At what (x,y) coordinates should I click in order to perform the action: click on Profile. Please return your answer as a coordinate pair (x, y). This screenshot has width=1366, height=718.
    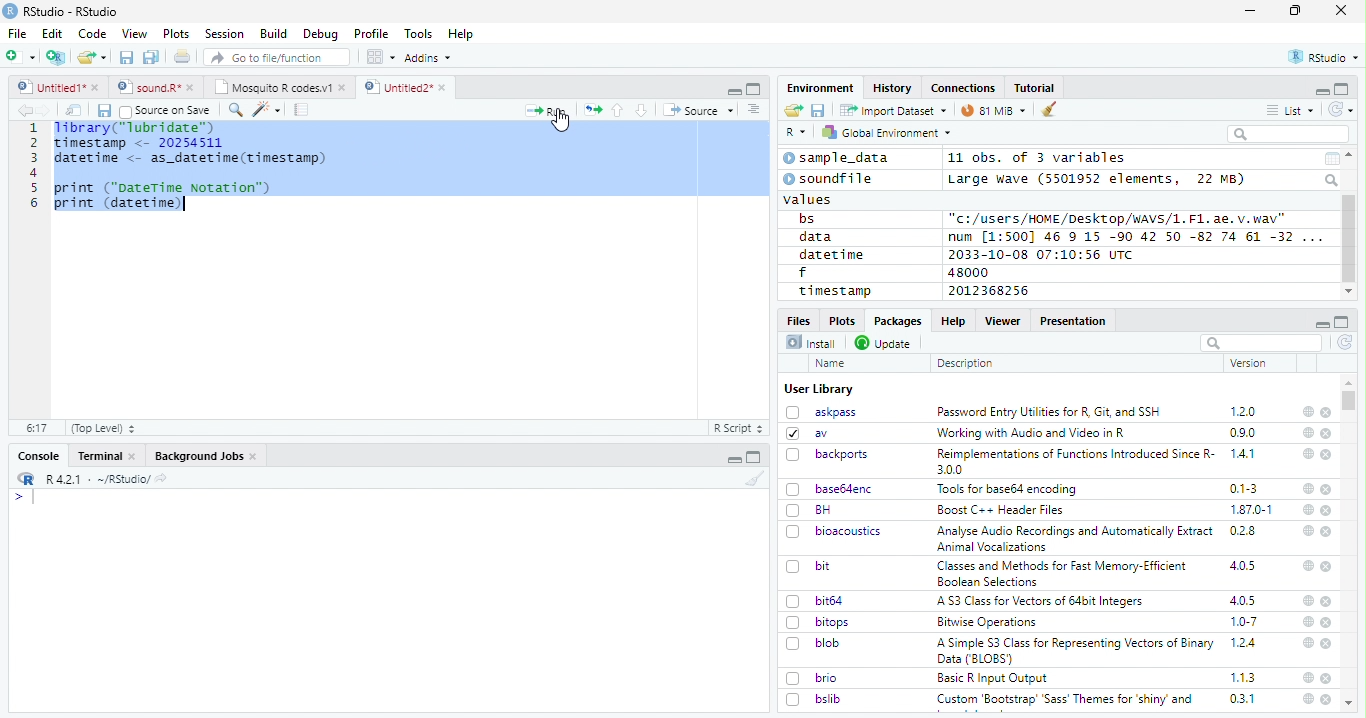
    Looking at the image, I should click on (371, 34).